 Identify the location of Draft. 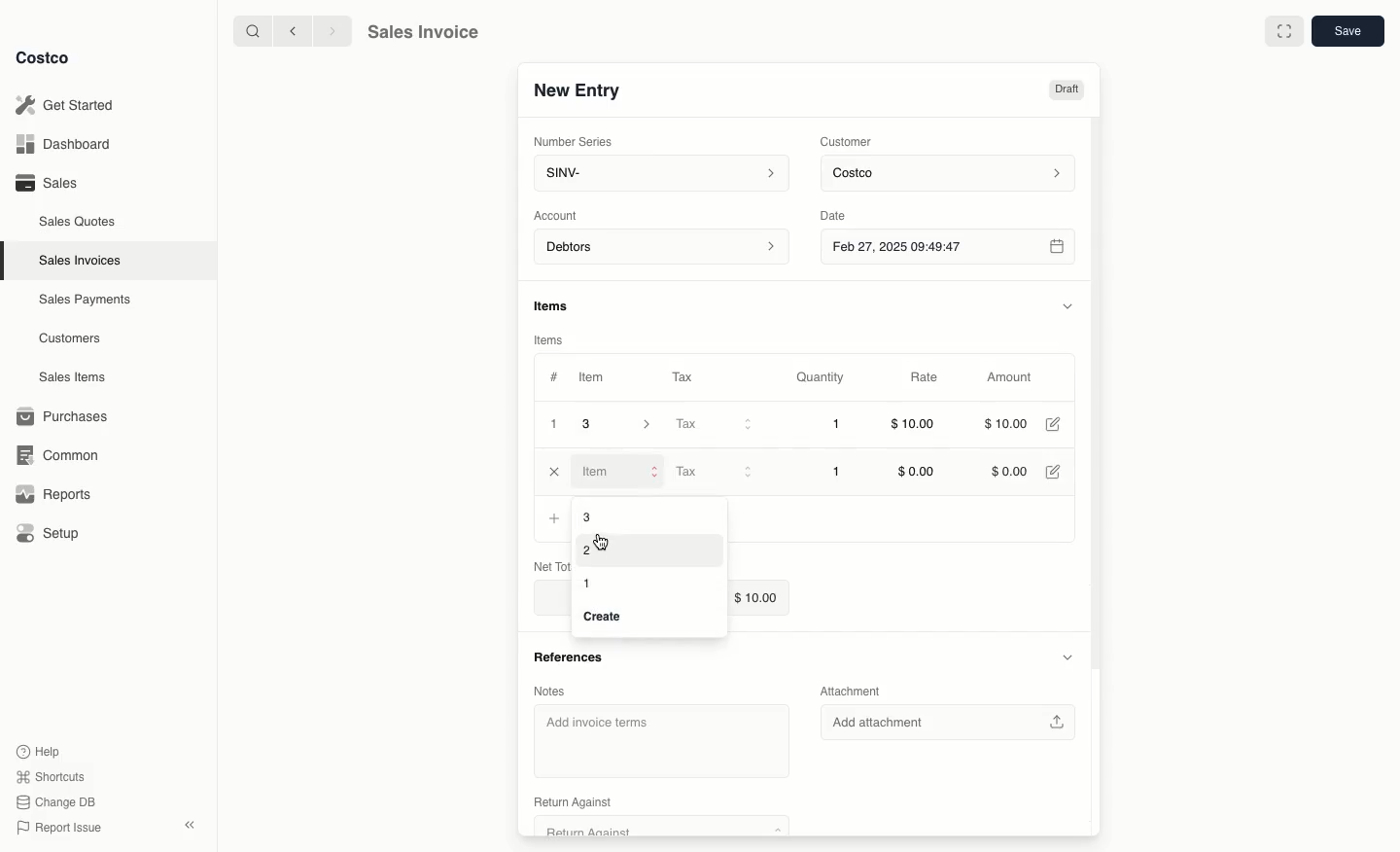
(1067, 90).